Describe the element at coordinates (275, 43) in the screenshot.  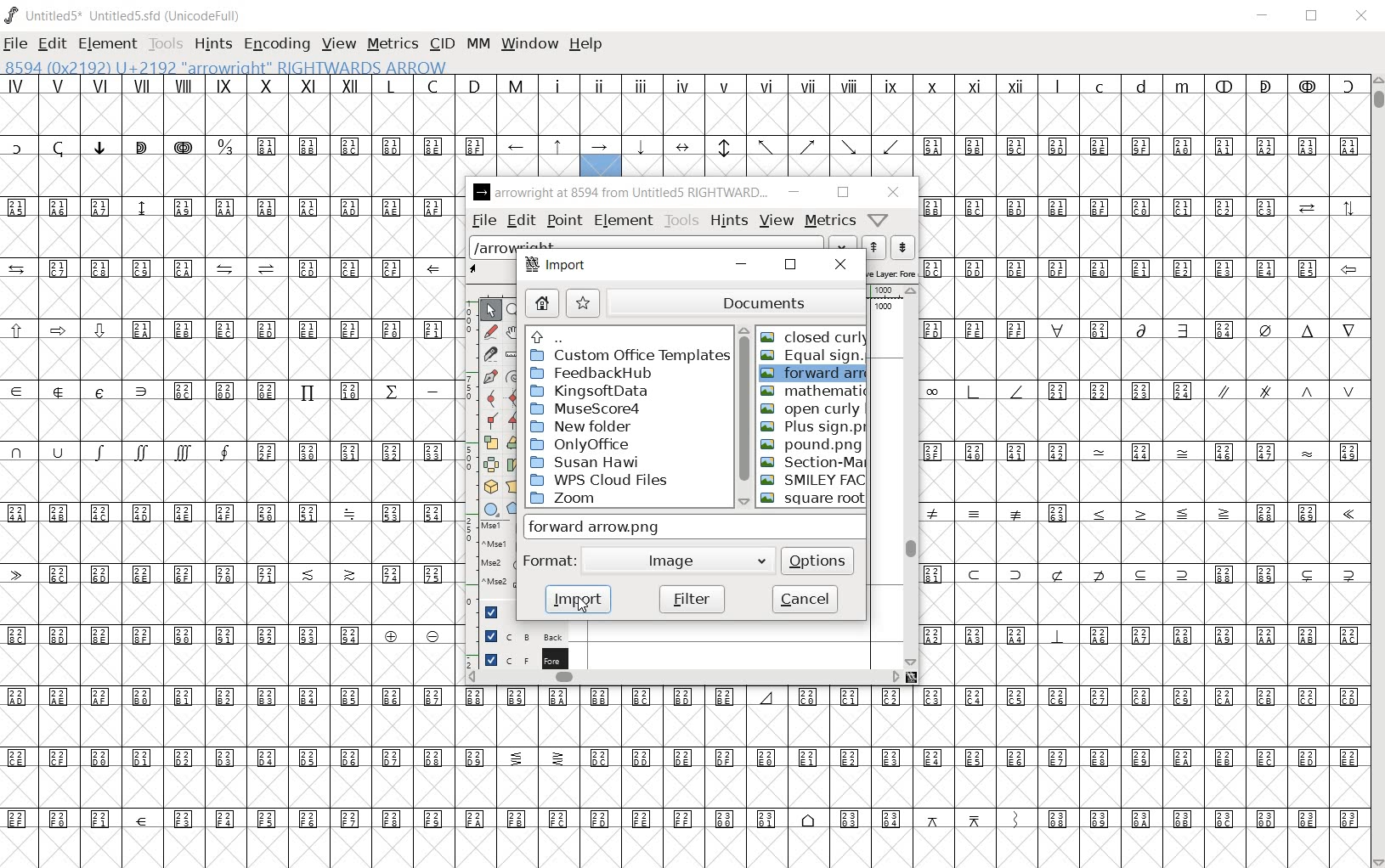
I see `ENCODING` at that location.